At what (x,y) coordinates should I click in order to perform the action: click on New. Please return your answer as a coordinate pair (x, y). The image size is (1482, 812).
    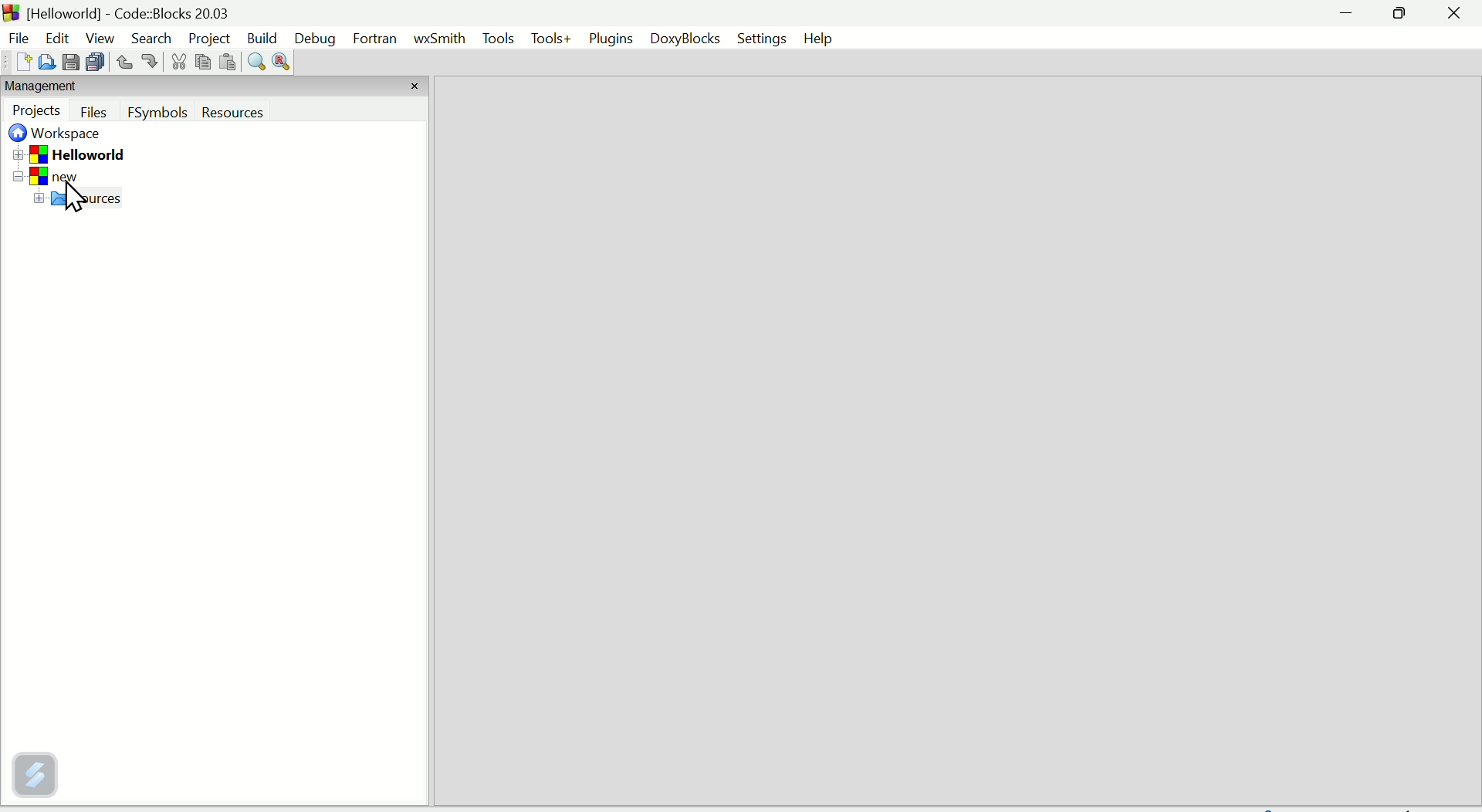
    Looking at the image, I should click on (59, 176).